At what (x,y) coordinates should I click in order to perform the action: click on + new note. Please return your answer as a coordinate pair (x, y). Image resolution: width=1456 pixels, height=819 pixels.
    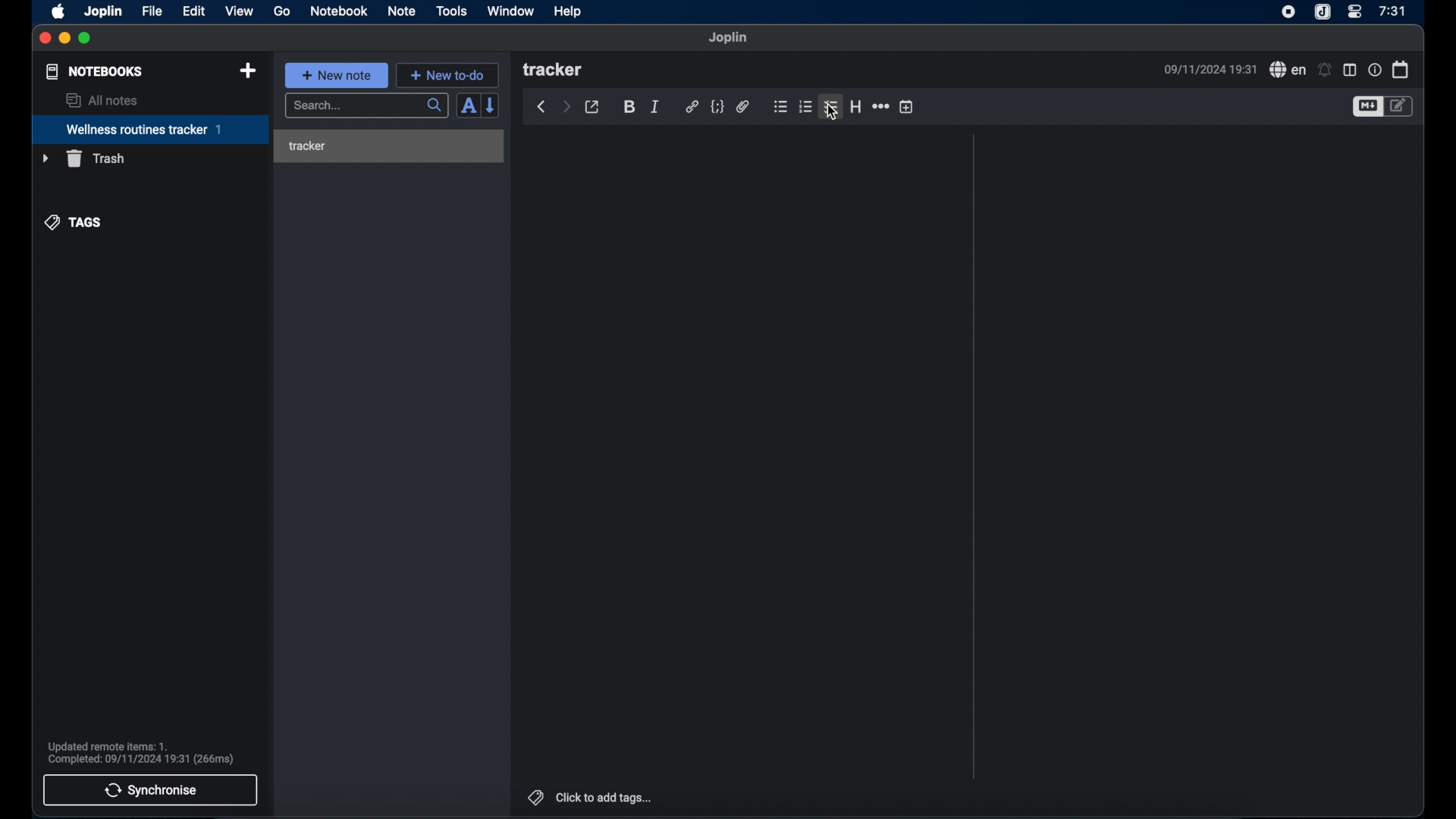
    Looking at the image, I should click on (337, 75).